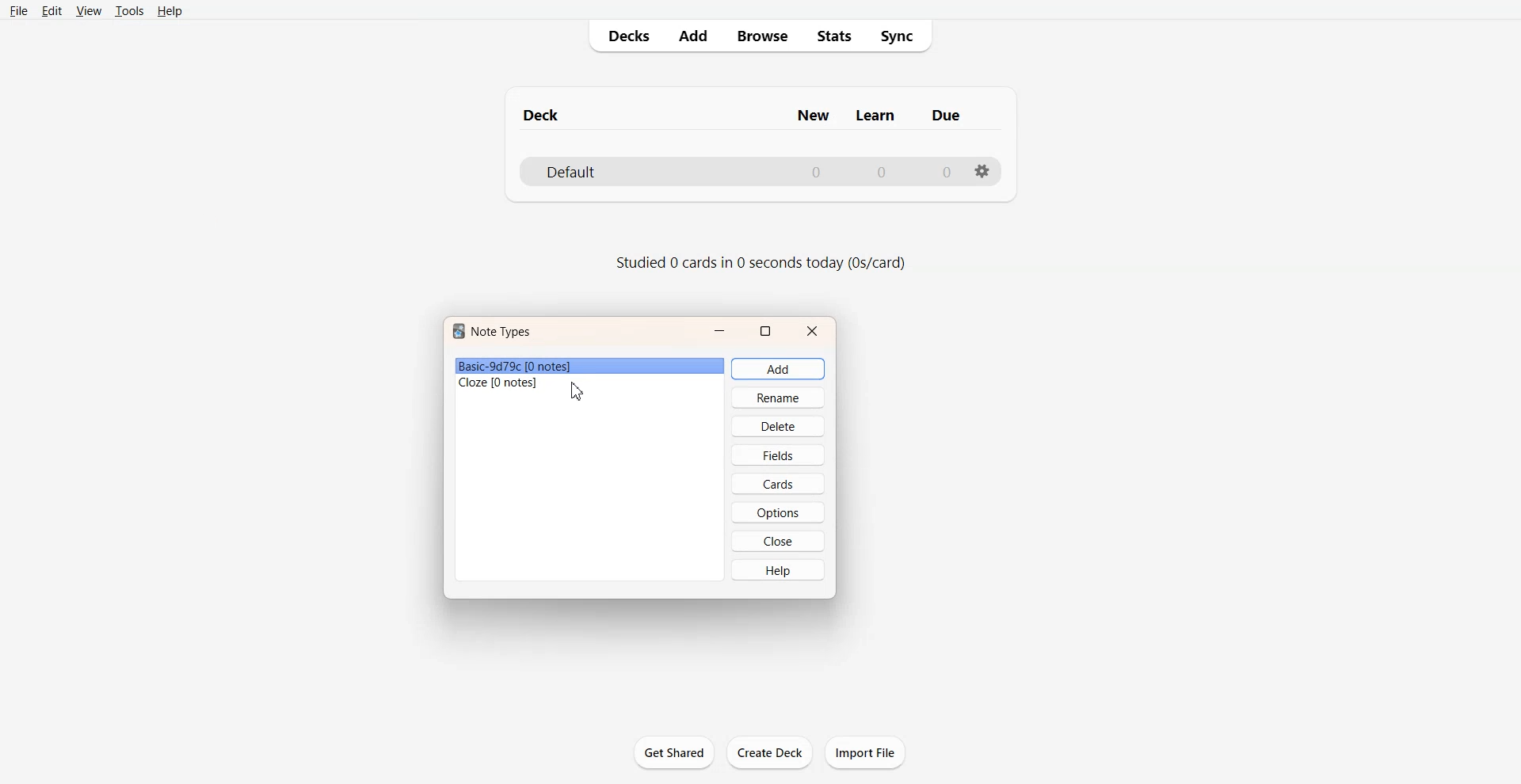  Describe the element at coordinates (777, 369) in the screenshot. I see `Add` at that location.